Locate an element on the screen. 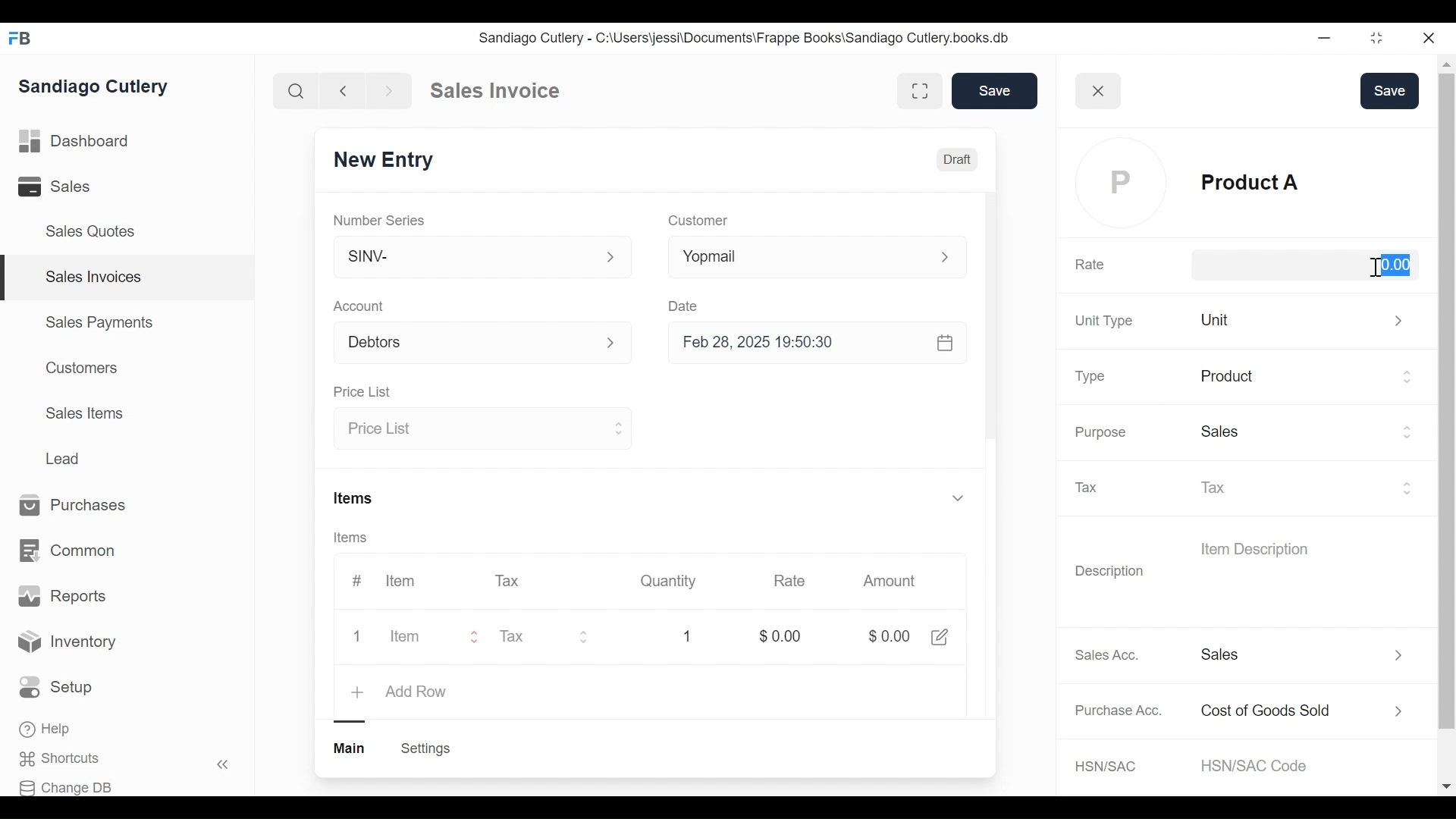 The height and width of the screenshot is (819, 1456). Shortcuts is located at coordinates (65, 759).